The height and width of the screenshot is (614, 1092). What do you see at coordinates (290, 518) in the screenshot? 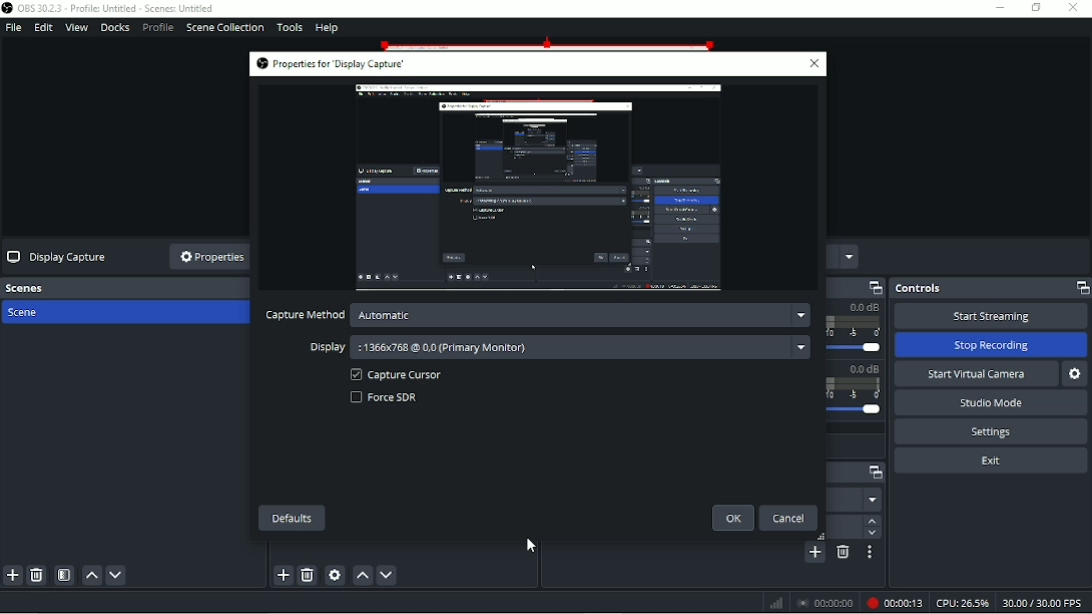
I see `Defaults` at bounding box center [290, 518].